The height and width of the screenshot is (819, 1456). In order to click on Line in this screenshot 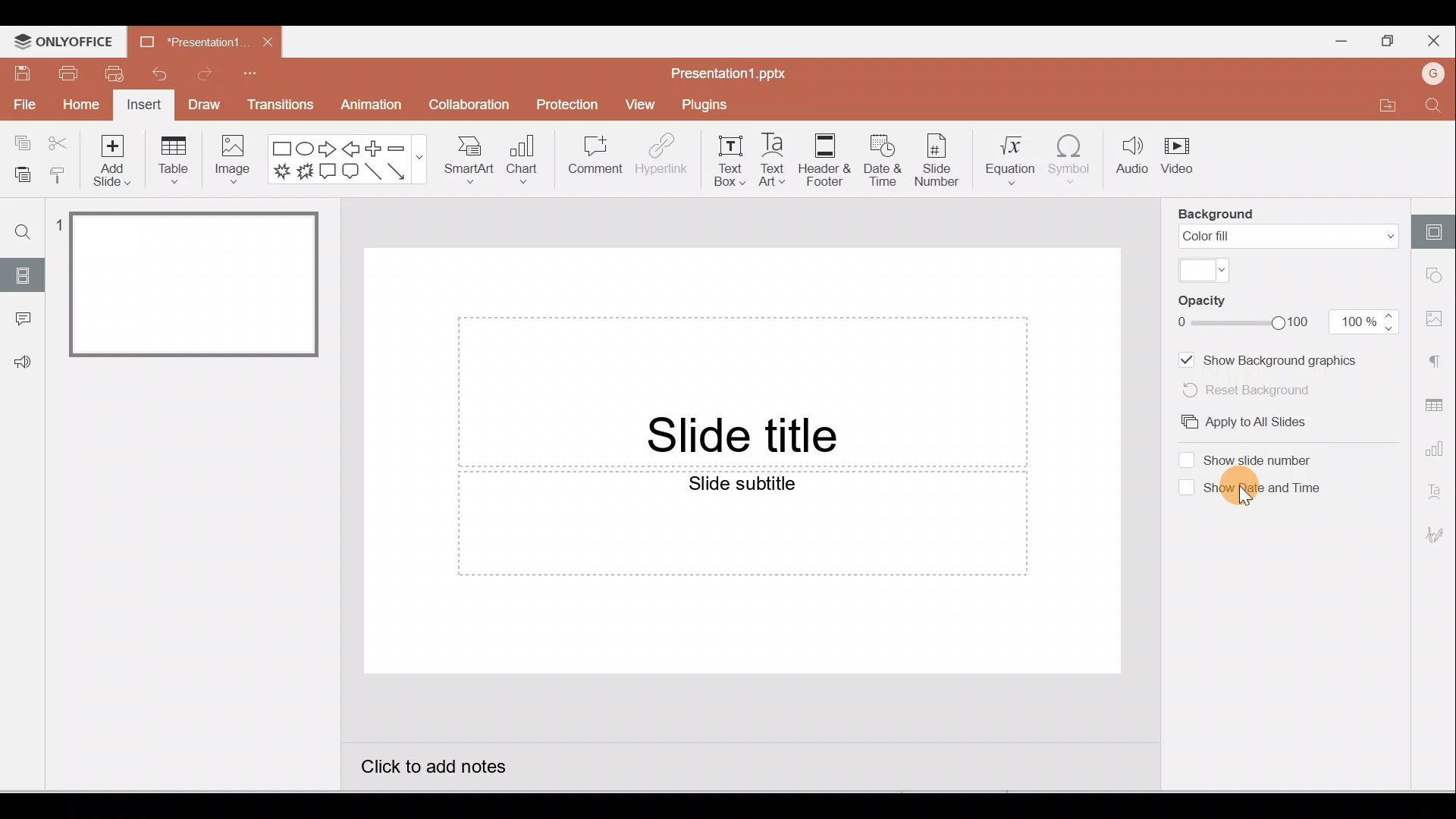, I will do `click(372, 171)`.